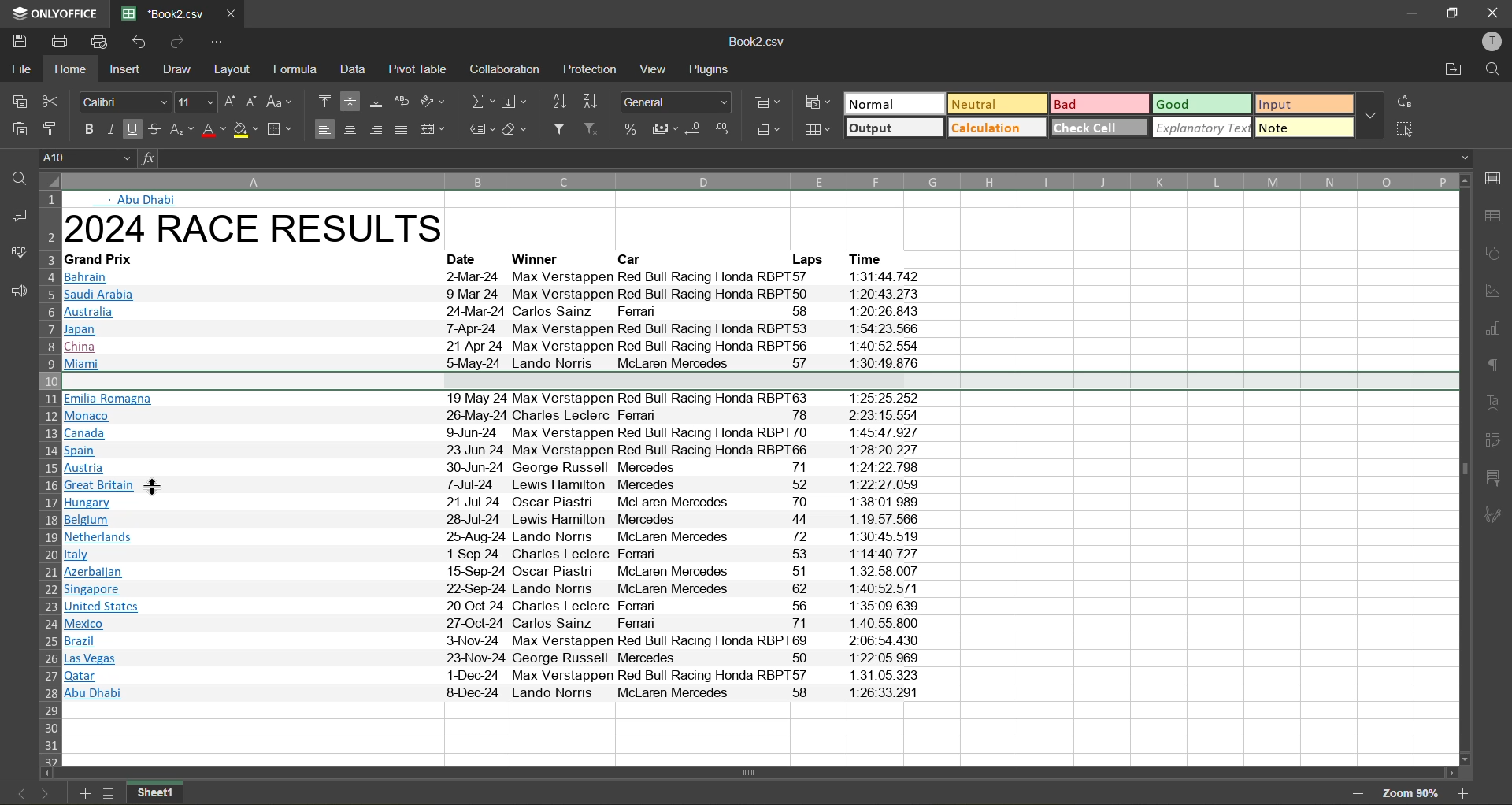  I want to click on charts, so click(1498, 332).